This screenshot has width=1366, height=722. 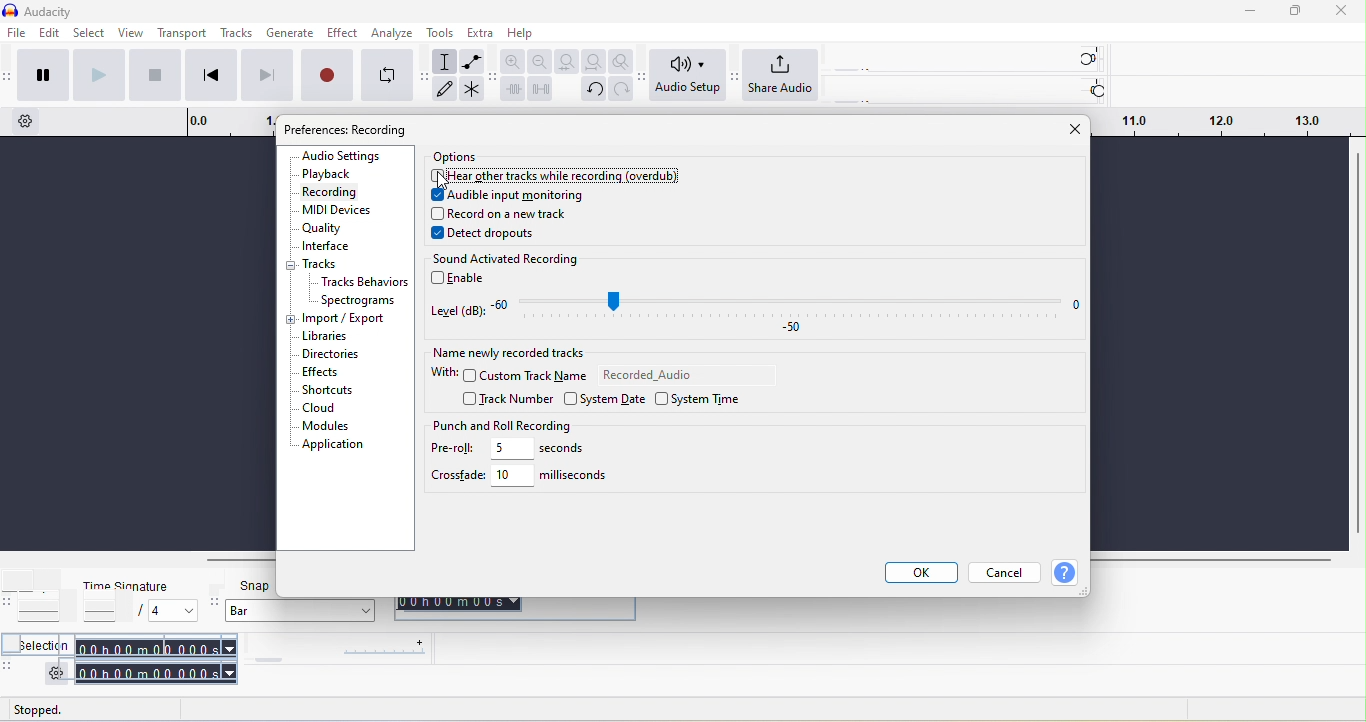 What do you see at coordinates (325, 427) in the screenshot?
I see `modules` at bounding box center [325, 427].